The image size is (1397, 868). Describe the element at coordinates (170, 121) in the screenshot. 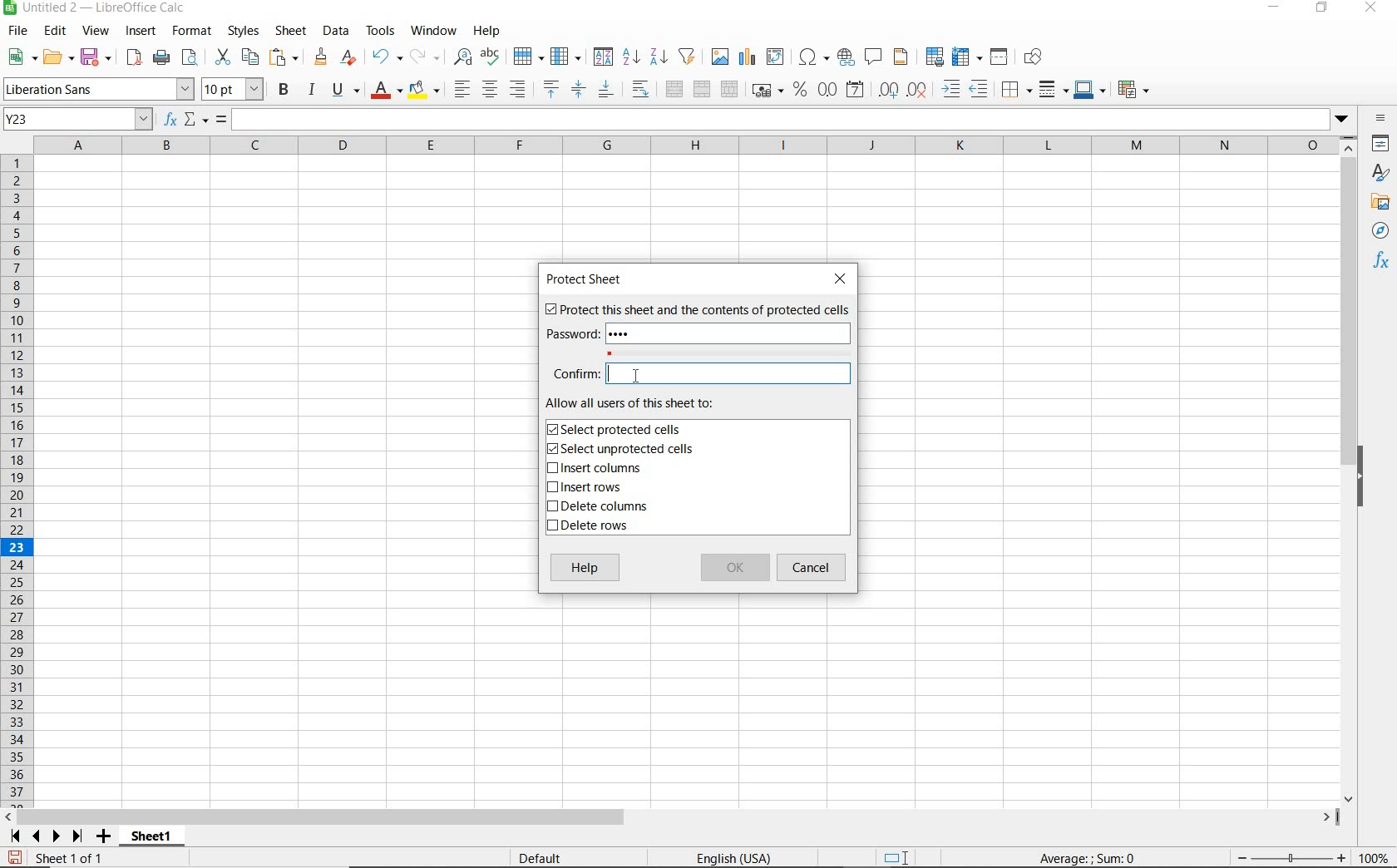

I see `FUNCTION WIZARD` at that location.